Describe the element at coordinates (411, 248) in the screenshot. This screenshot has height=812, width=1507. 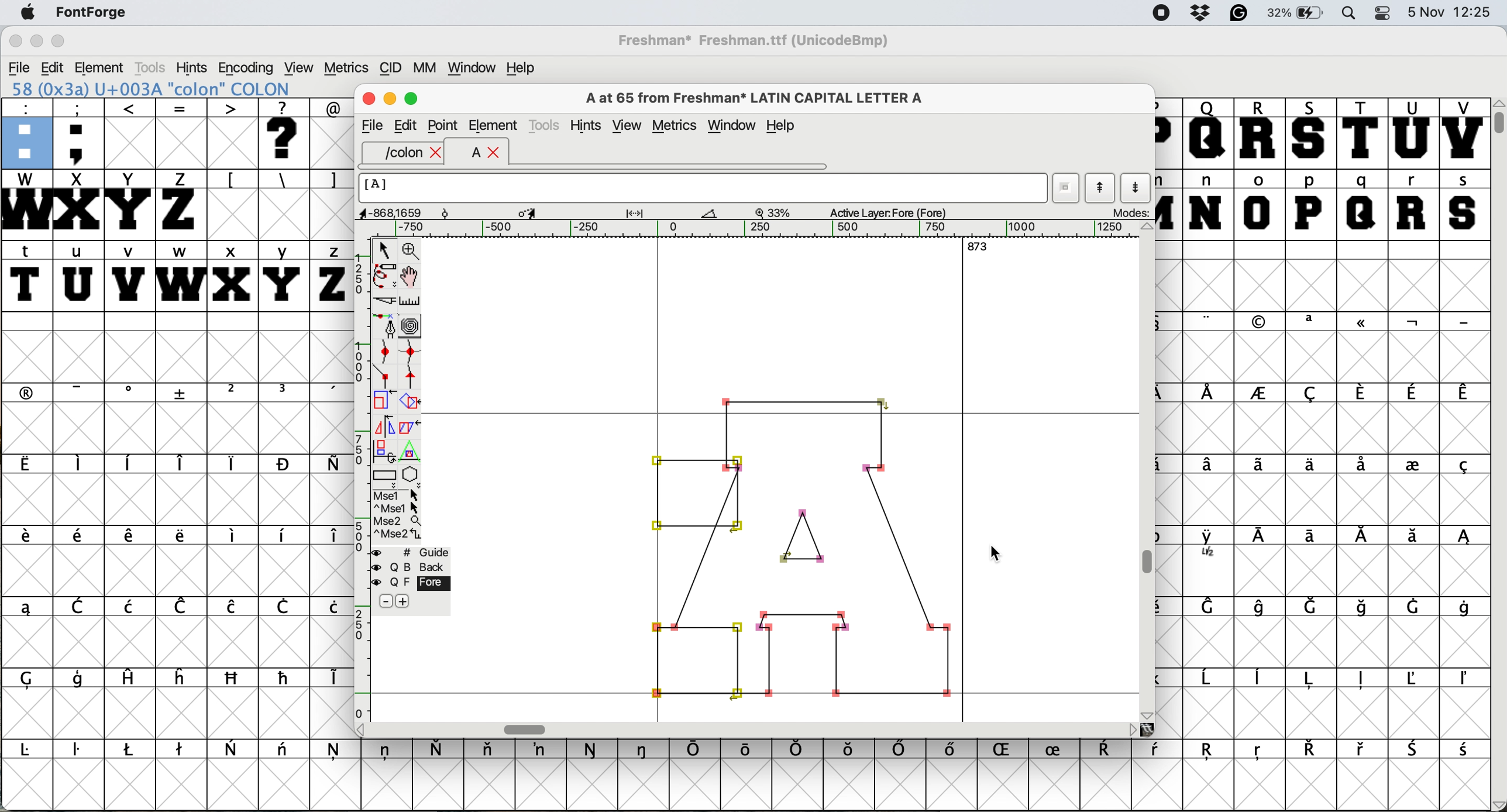
I see `zoom in` at that location.